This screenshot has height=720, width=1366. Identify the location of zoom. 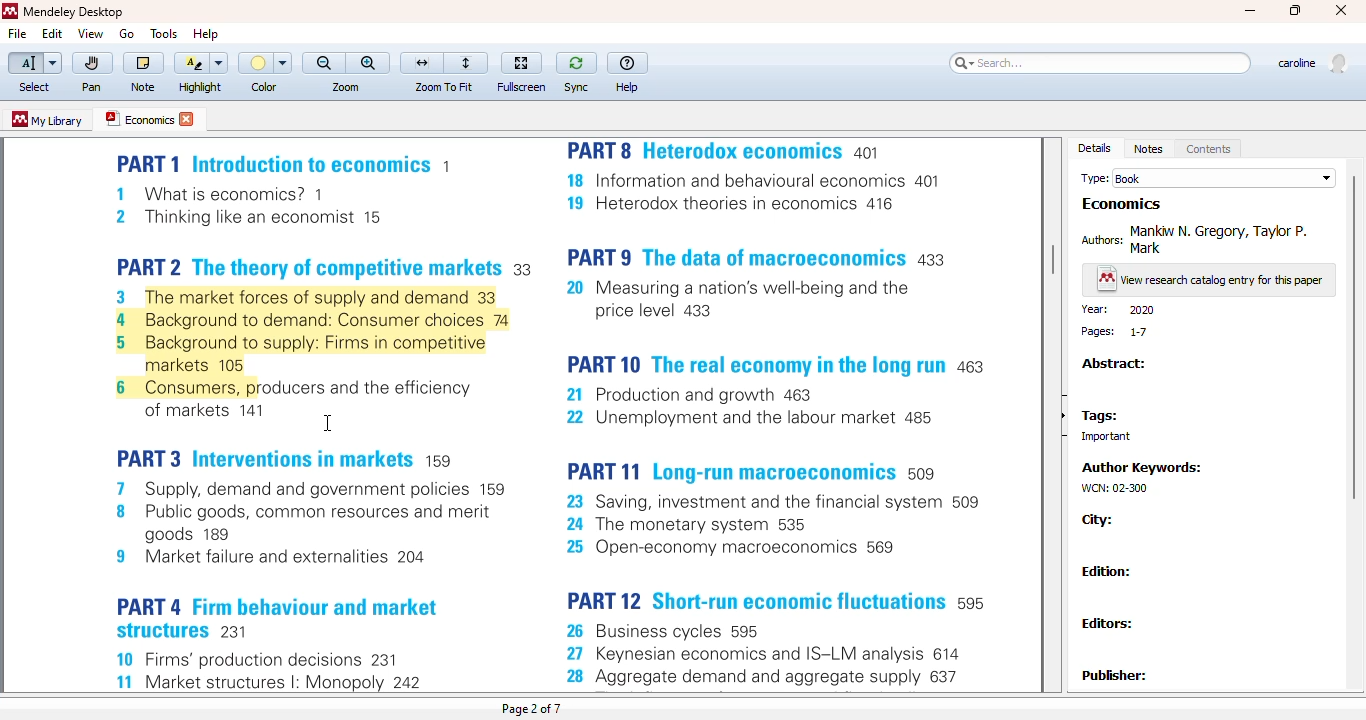
(346, 87).